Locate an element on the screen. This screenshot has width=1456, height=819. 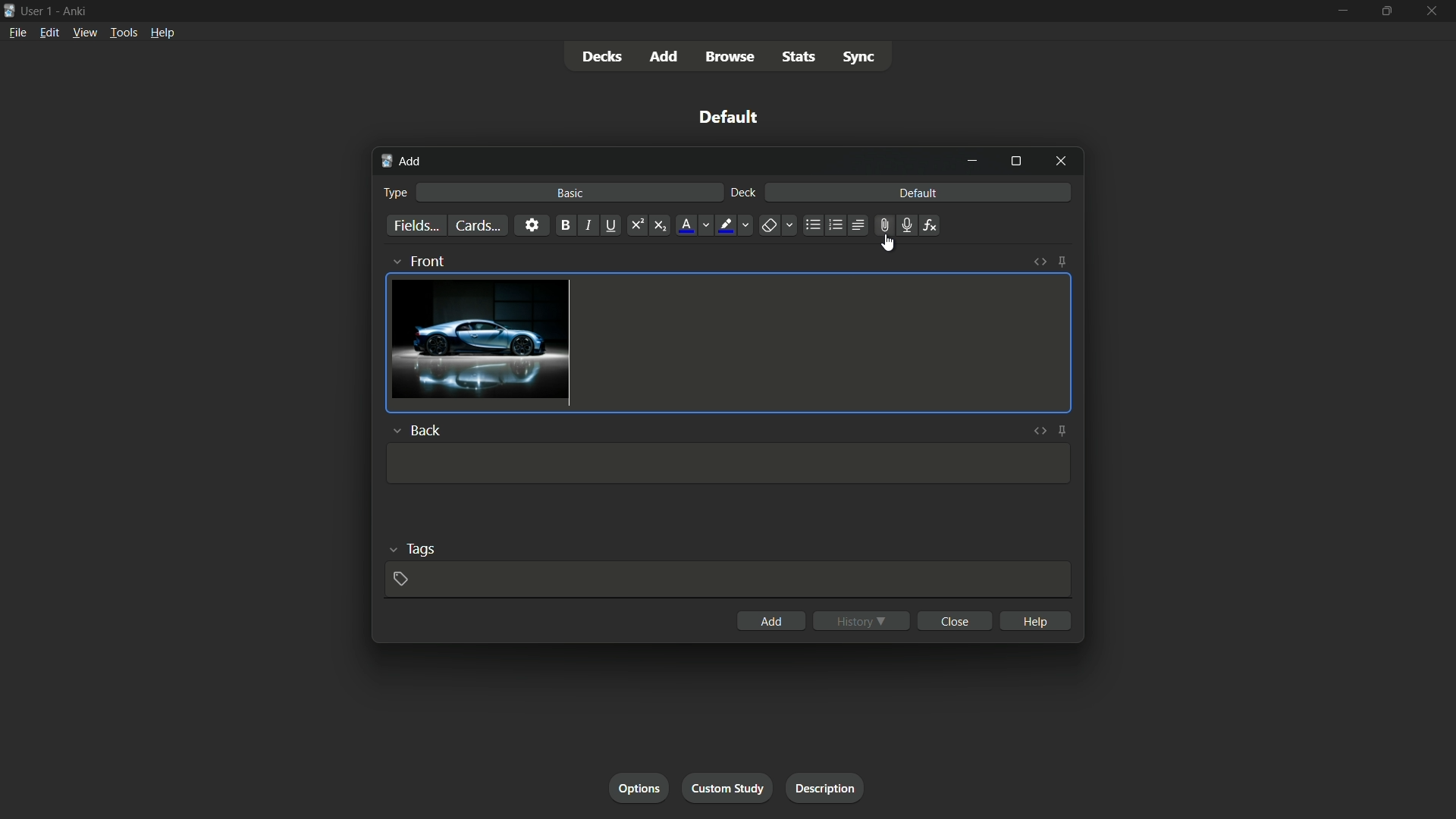
type is located at coordinates (396, 192).